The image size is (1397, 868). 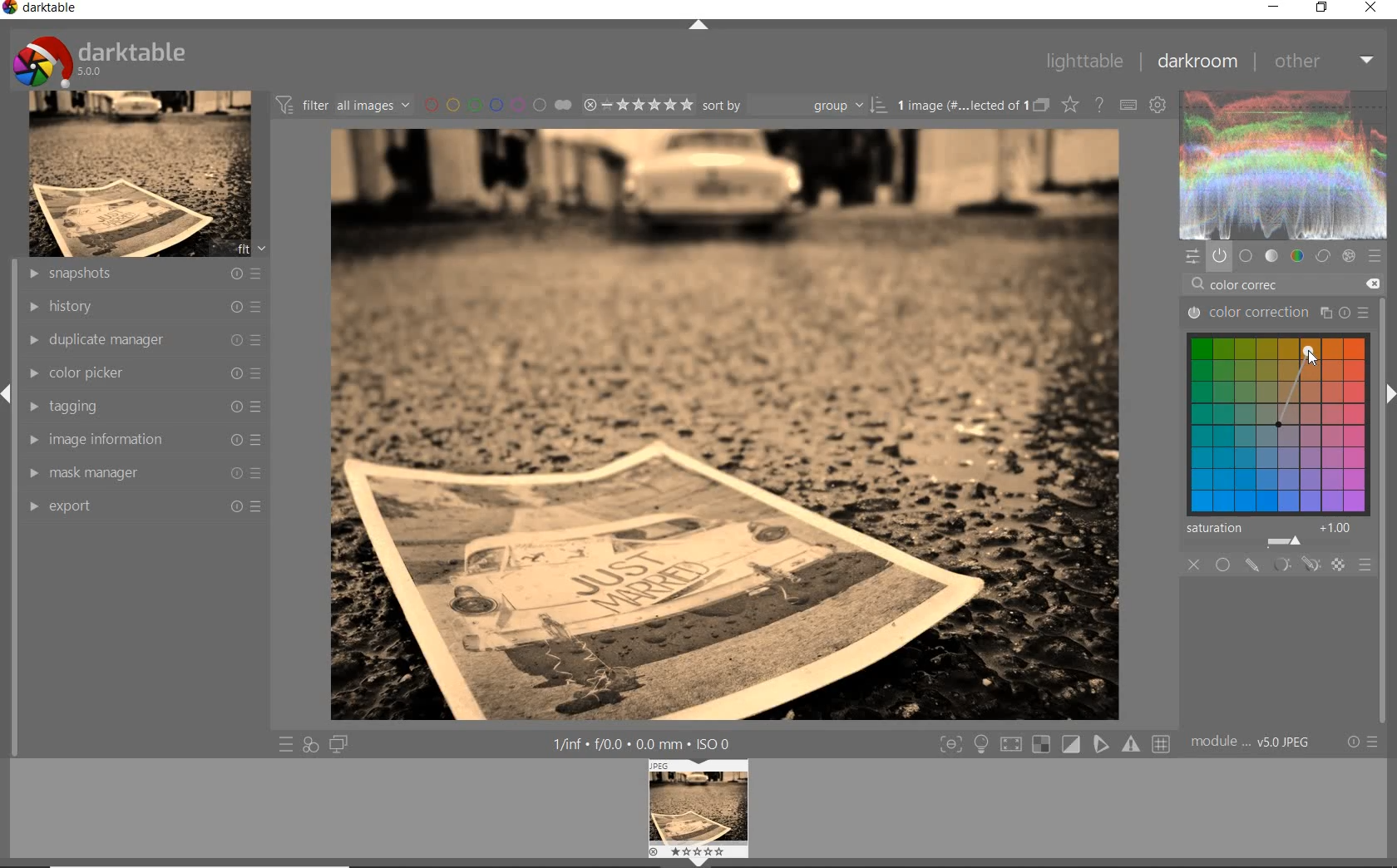 What do you see at coordinates (795, 105) in the screenshot?
I see `sort` at bounding box center [795, 105].